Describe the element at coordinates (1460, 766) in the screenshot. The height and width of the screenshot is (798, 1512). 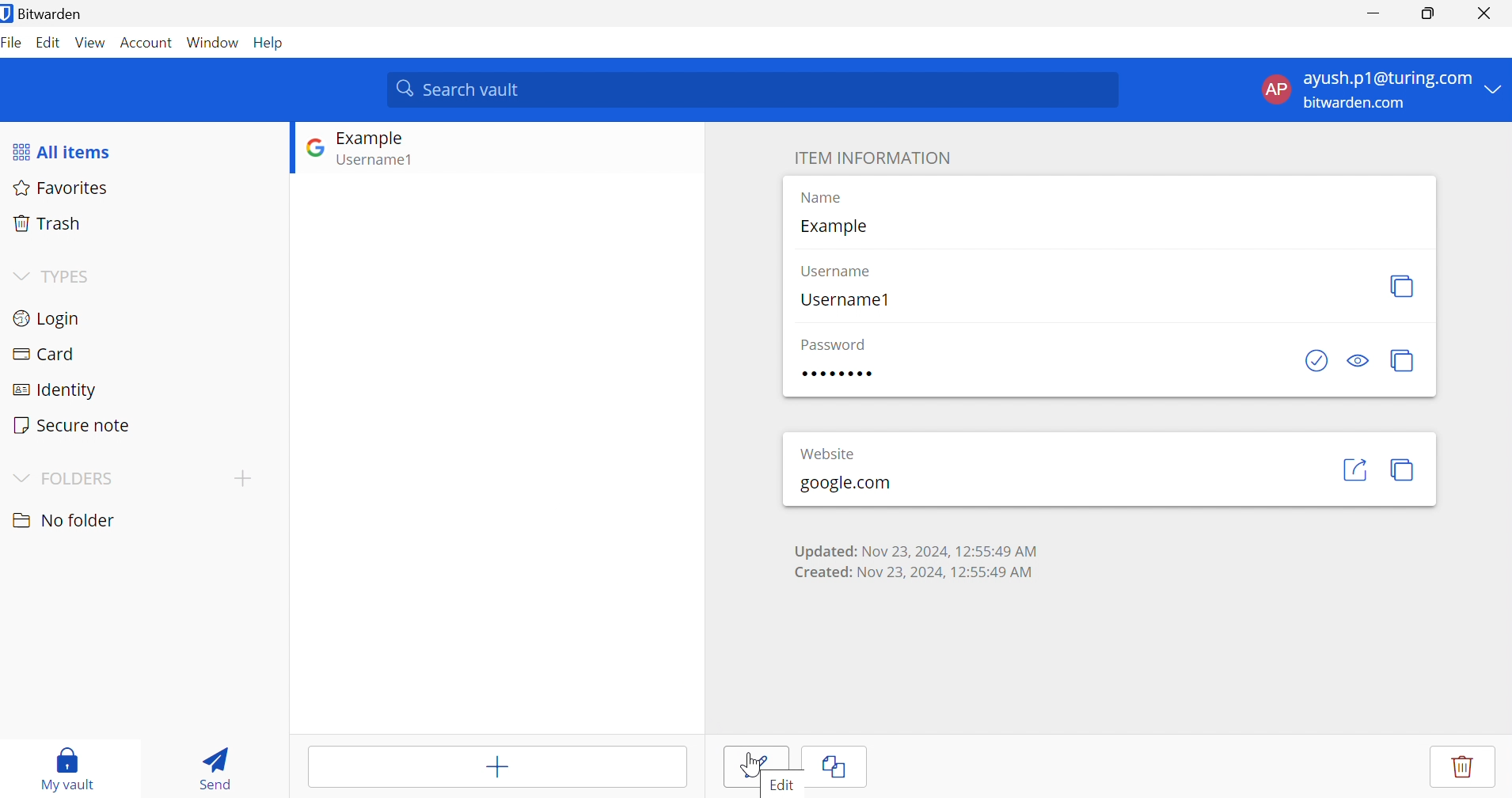
I see `Delete` at that location.